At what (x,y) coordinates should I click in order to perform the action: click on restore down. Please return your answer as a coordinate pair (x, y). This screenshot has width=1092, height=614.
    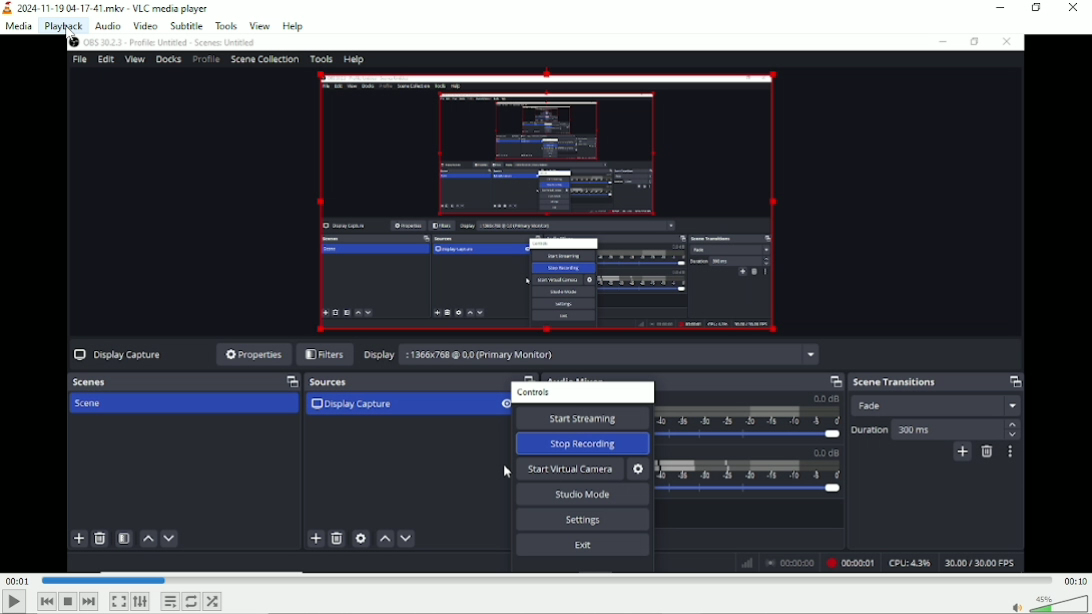
    Looking at the image, I should click on (1036, 8).